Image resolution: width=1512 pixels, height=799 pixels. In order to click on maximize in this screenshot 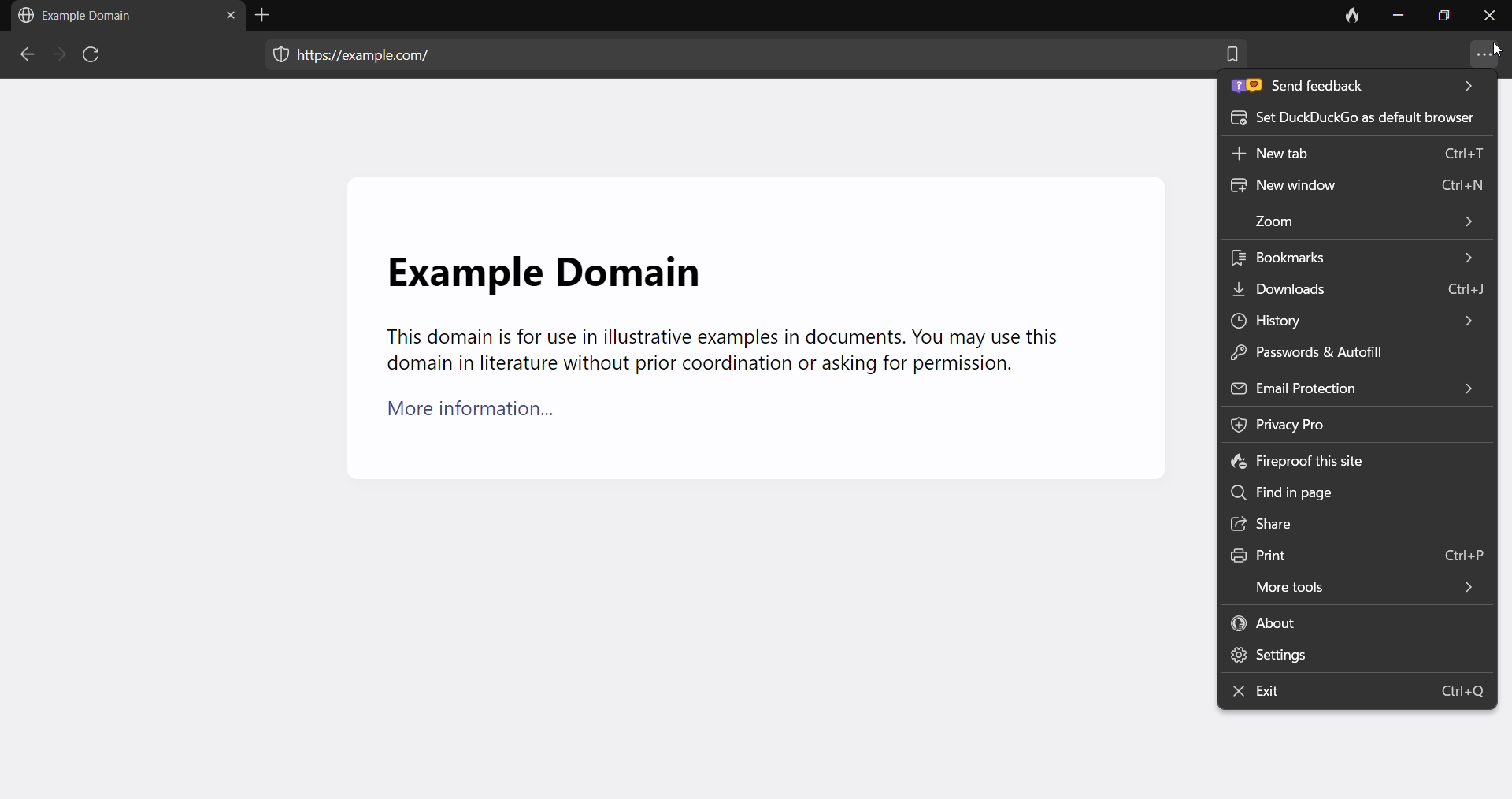, I will do `click(1442, 19)`.